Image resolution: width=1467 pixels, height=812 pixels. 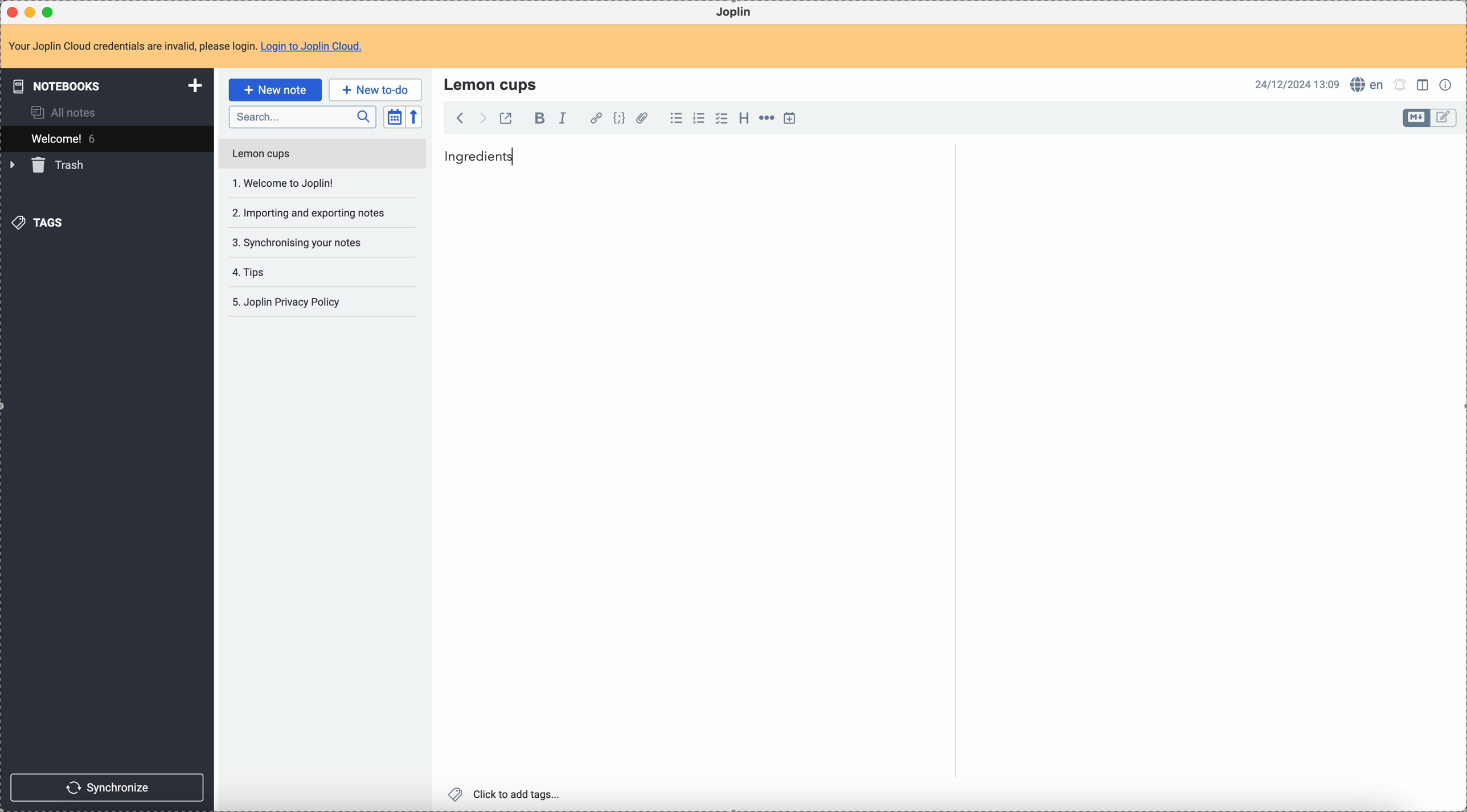 I want to click on synchronize, so click(x=108, y=788).